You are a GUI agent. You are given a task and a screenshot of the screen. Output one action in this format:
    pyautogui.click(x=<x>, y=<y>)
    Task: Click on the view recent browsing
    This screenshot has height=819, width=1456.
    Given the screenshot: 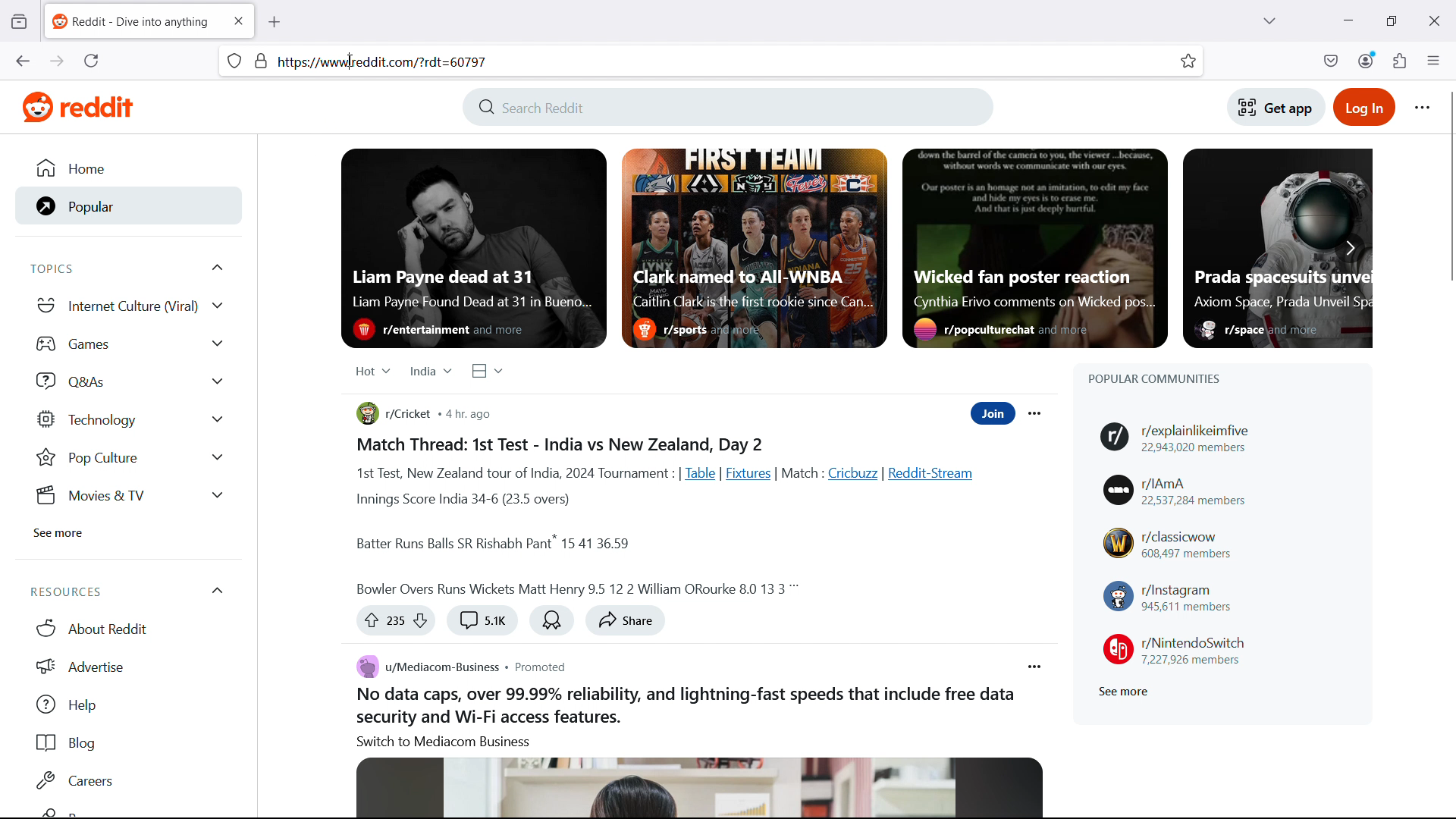 What is the action you would take?
    pyautogui.click(x=20, y=21)
    